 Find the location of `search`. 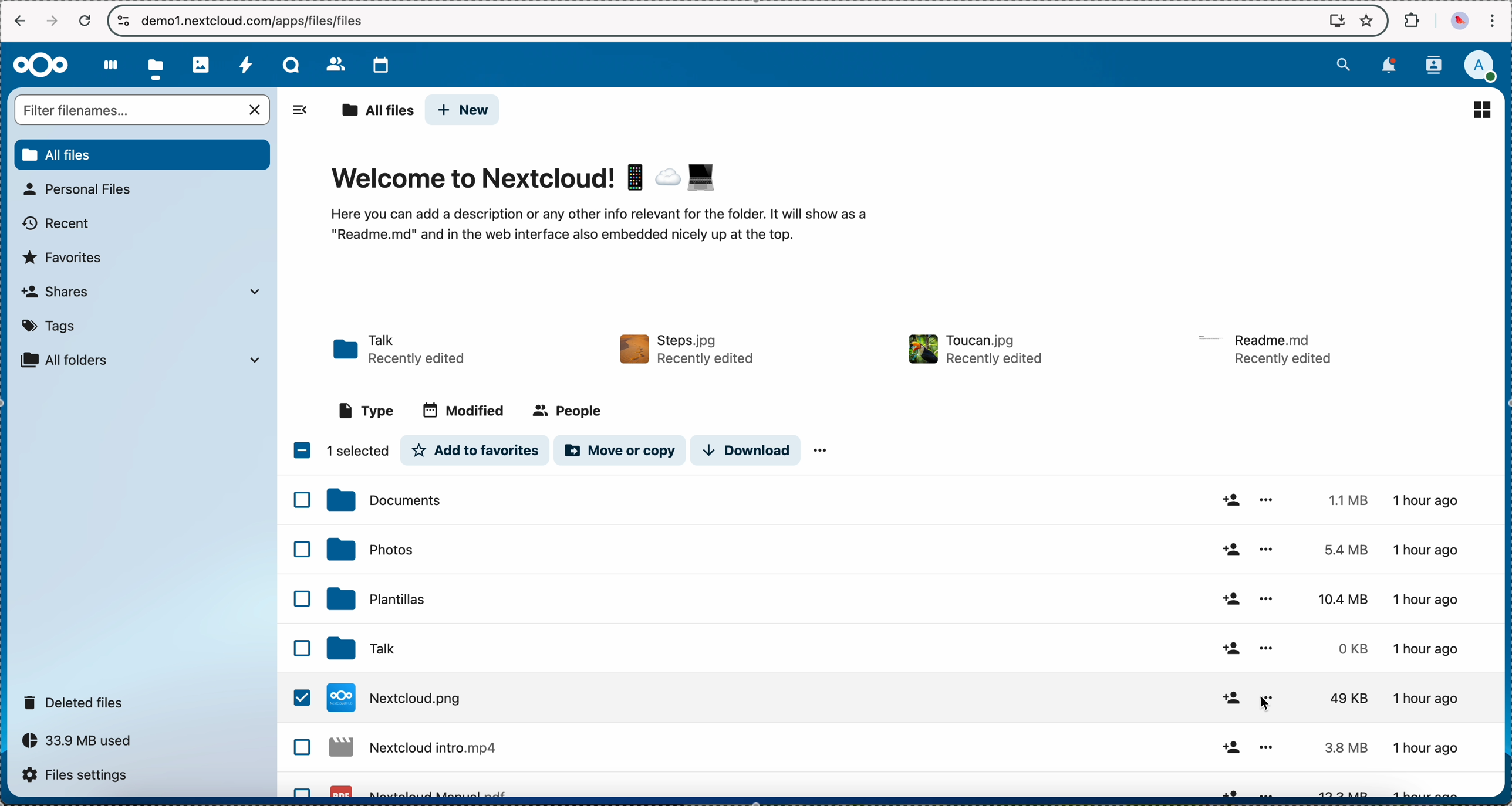

search is located at coordinates (1342, 65).